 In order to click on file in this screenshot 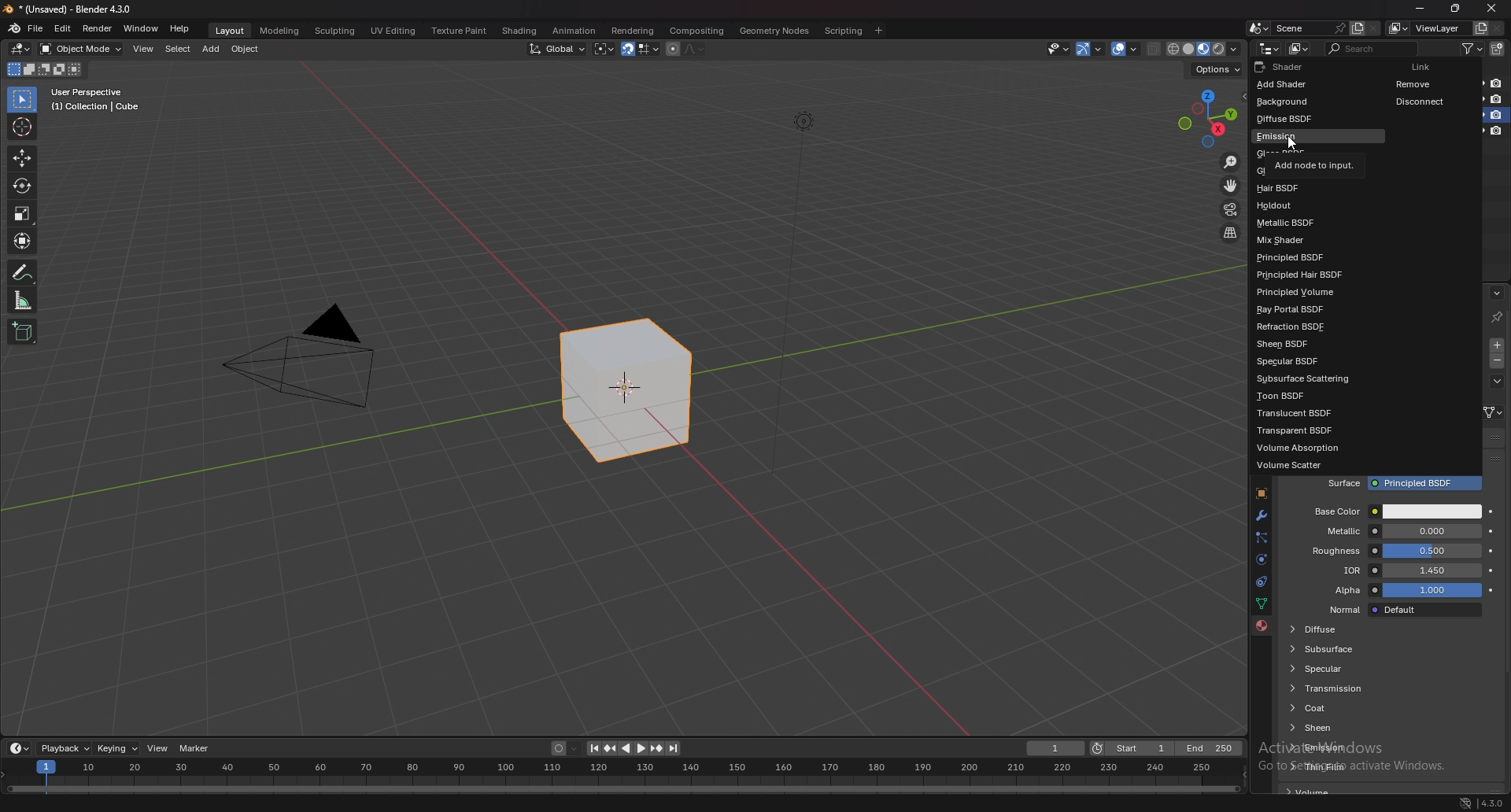, I will do `click(38, 28)`.